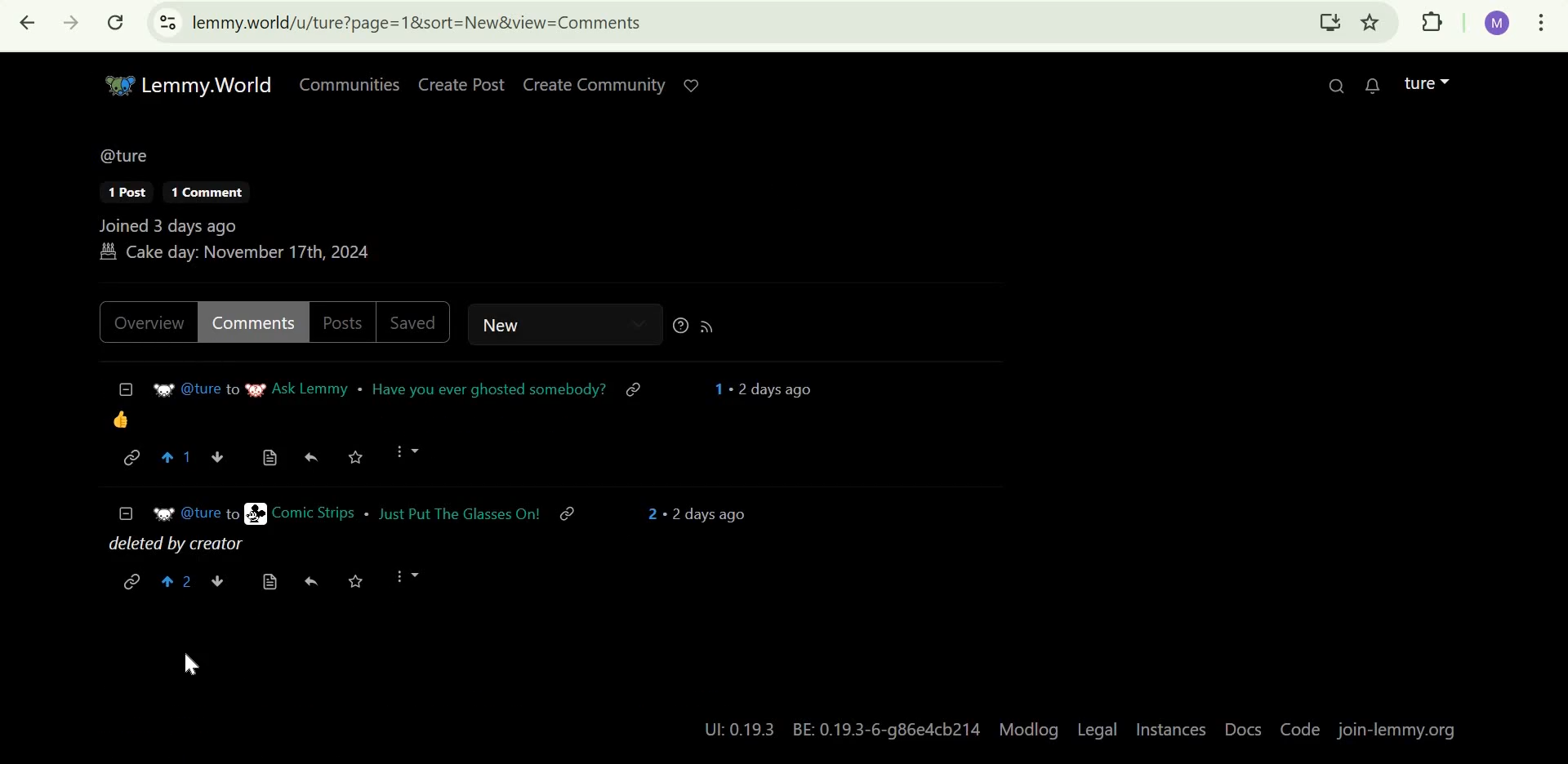 The height and width of the screenshot is (764, 1568). Describe the element at coordinates (1403, 729) in the screenshot. I see `join-lemmy.org` at that location.